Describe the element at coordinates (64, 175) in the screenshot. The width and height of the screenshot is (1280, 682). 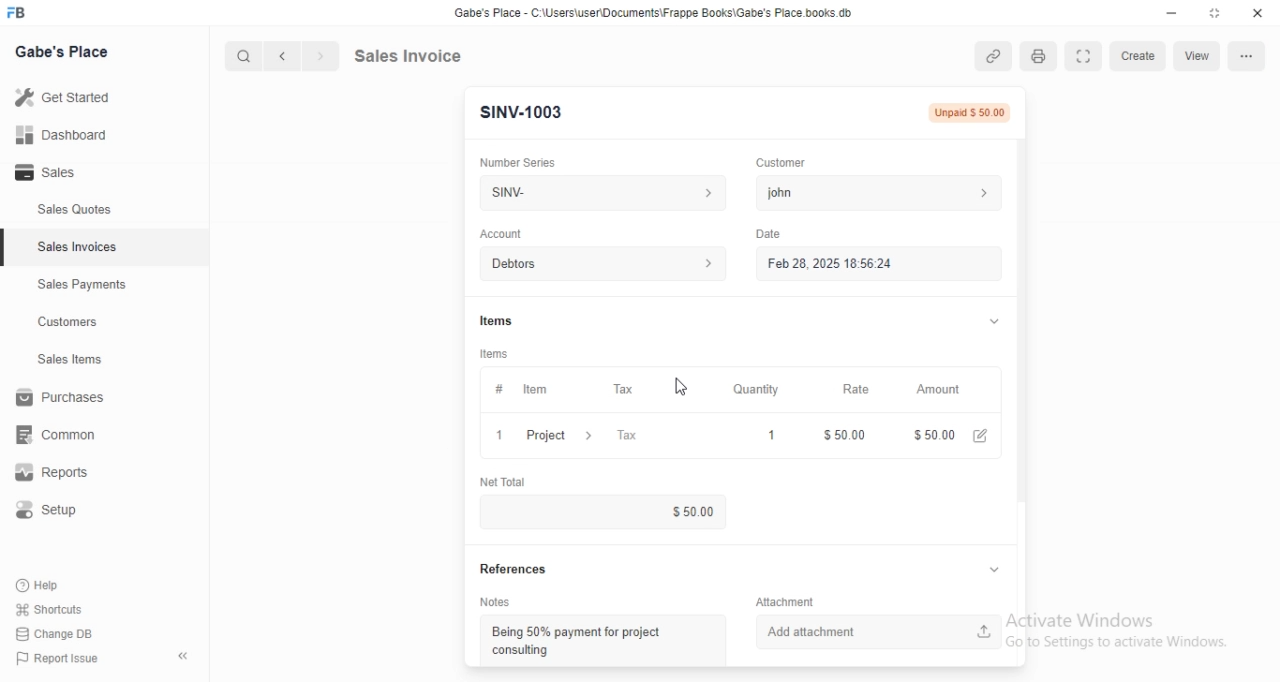
I see `- Sales` at that location.